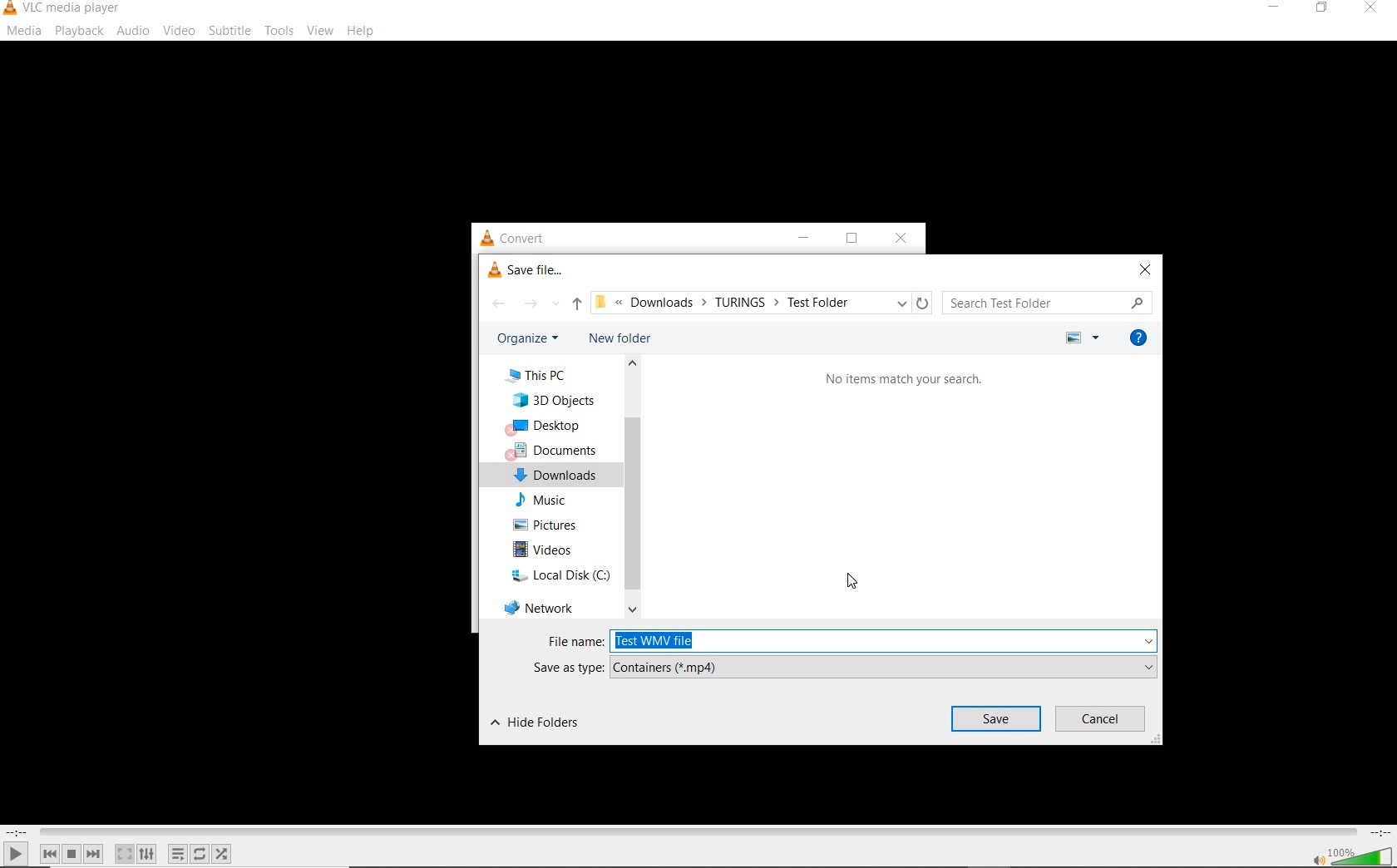 The image size is (1397, 868). Describe the element at coordinates (900, 237) in the screenshot. I see `close` at that location.